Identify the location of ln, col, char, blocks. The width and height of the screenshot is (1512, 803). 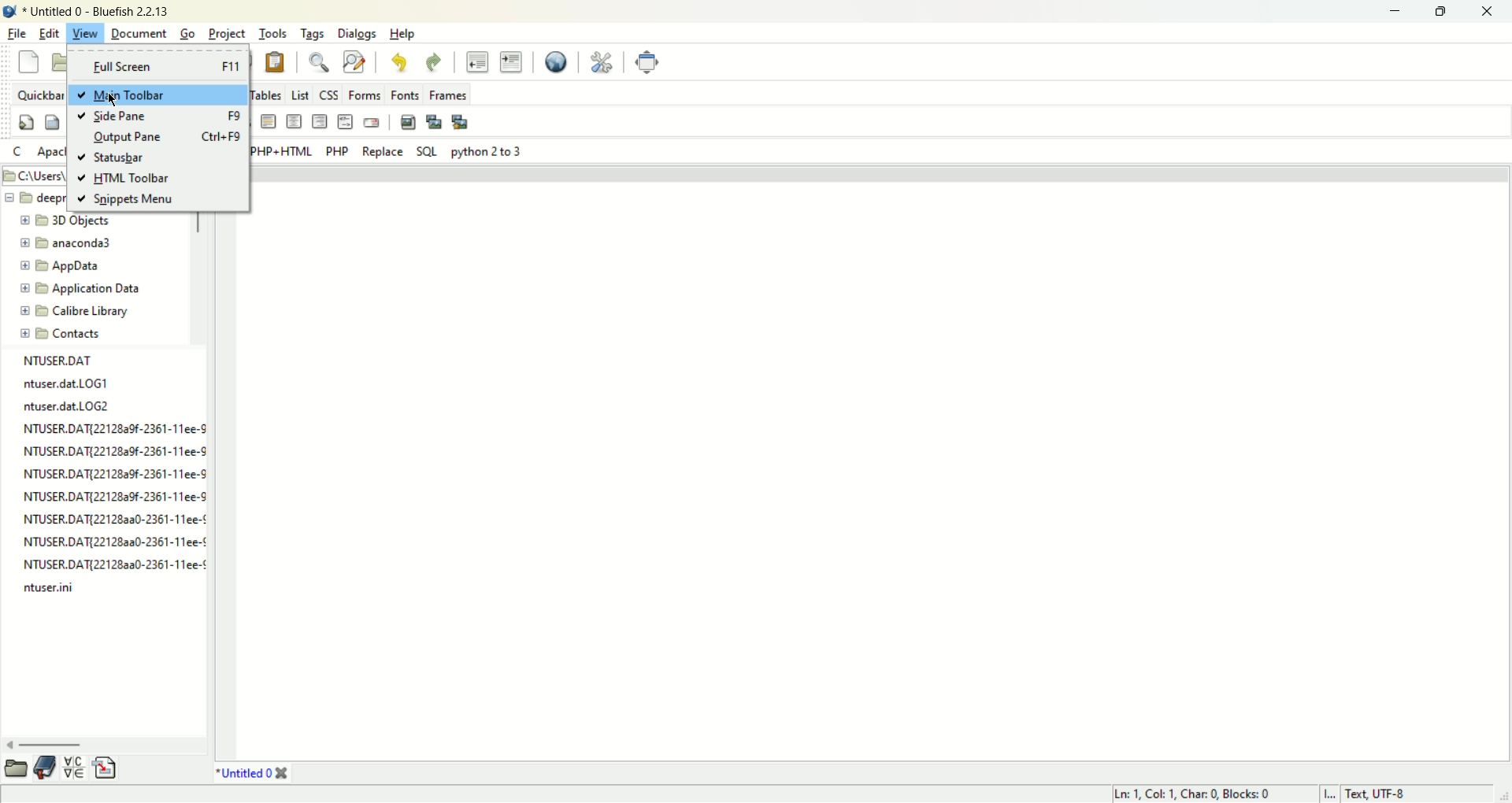
(1190, 794).